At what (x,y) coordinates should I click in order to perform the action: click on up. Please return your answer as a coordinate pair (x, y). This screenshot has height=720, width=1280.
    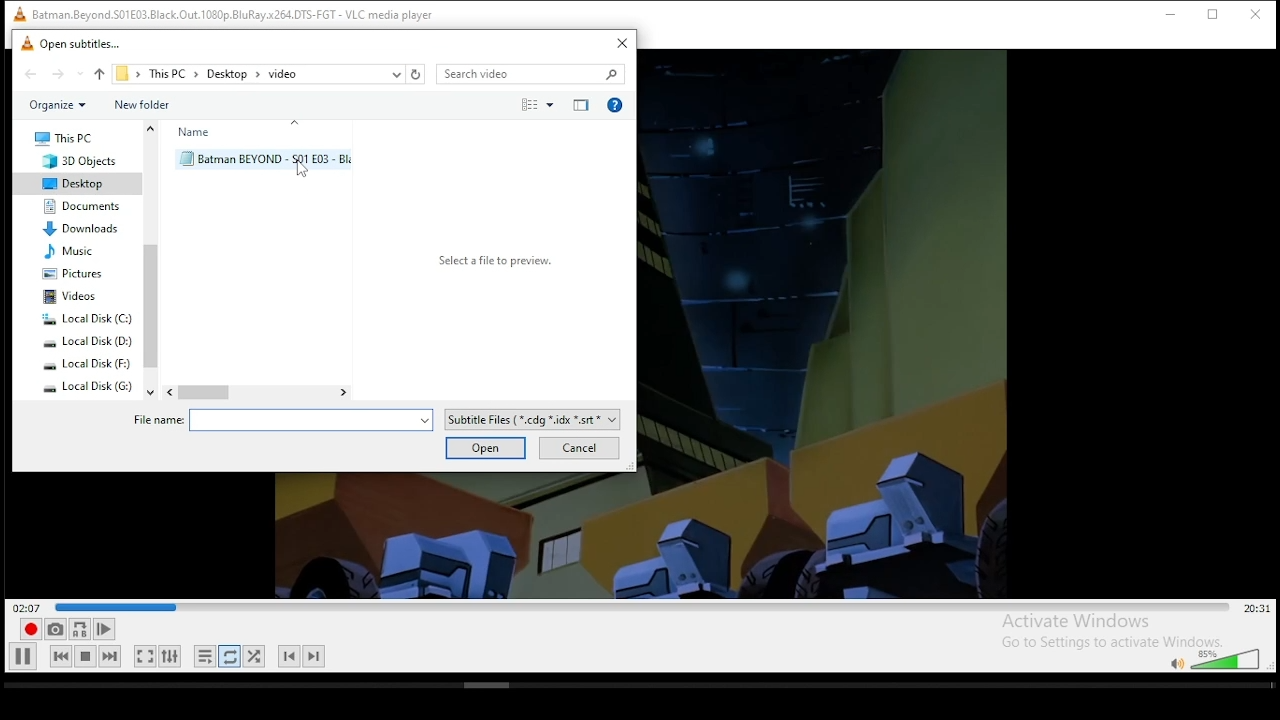
    Looking at the image, I should click on (99, 73).